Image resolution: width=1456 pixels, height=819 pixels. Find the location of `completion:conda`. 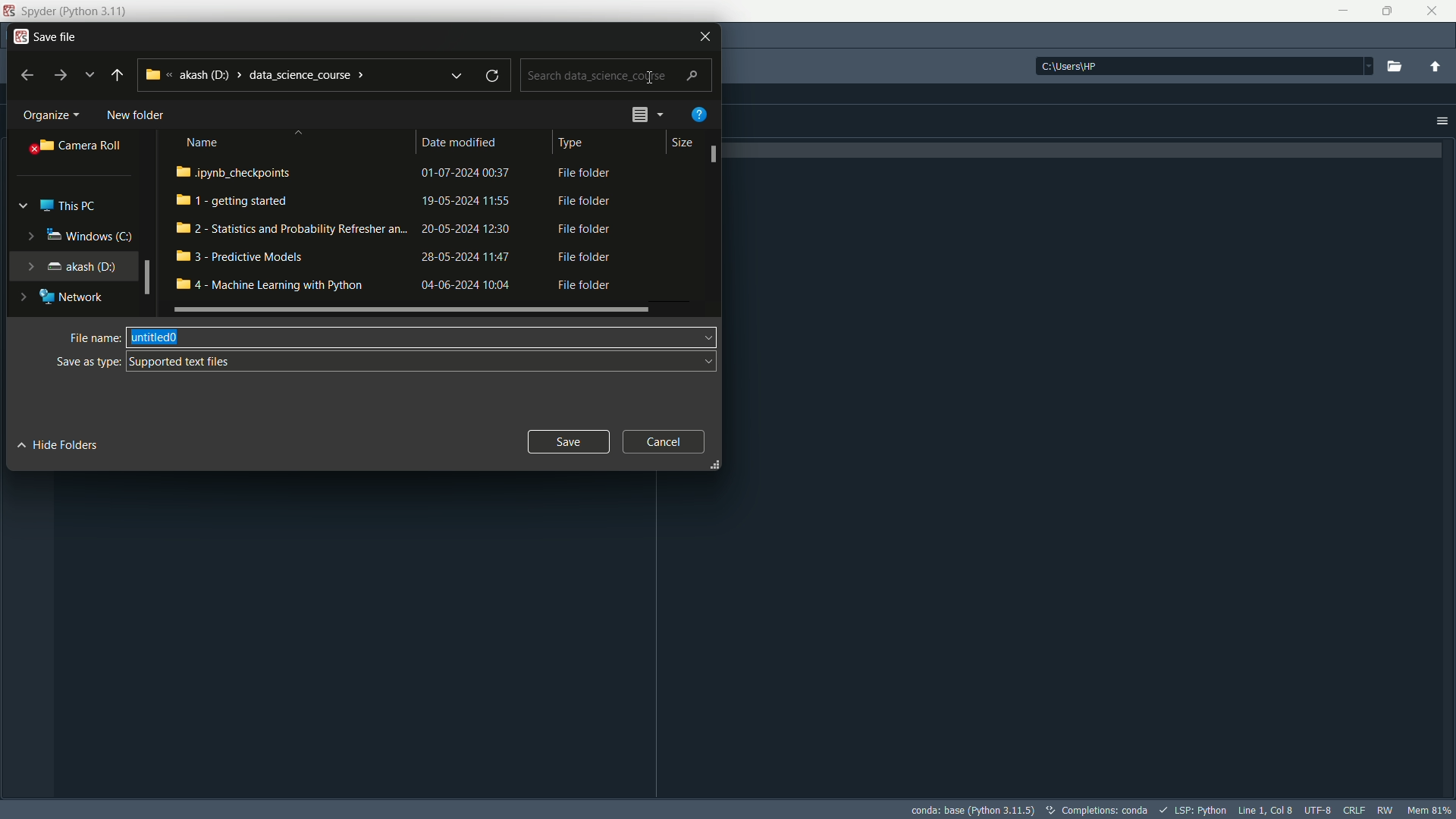

completion:conda is located at coordinates (1097, 810).